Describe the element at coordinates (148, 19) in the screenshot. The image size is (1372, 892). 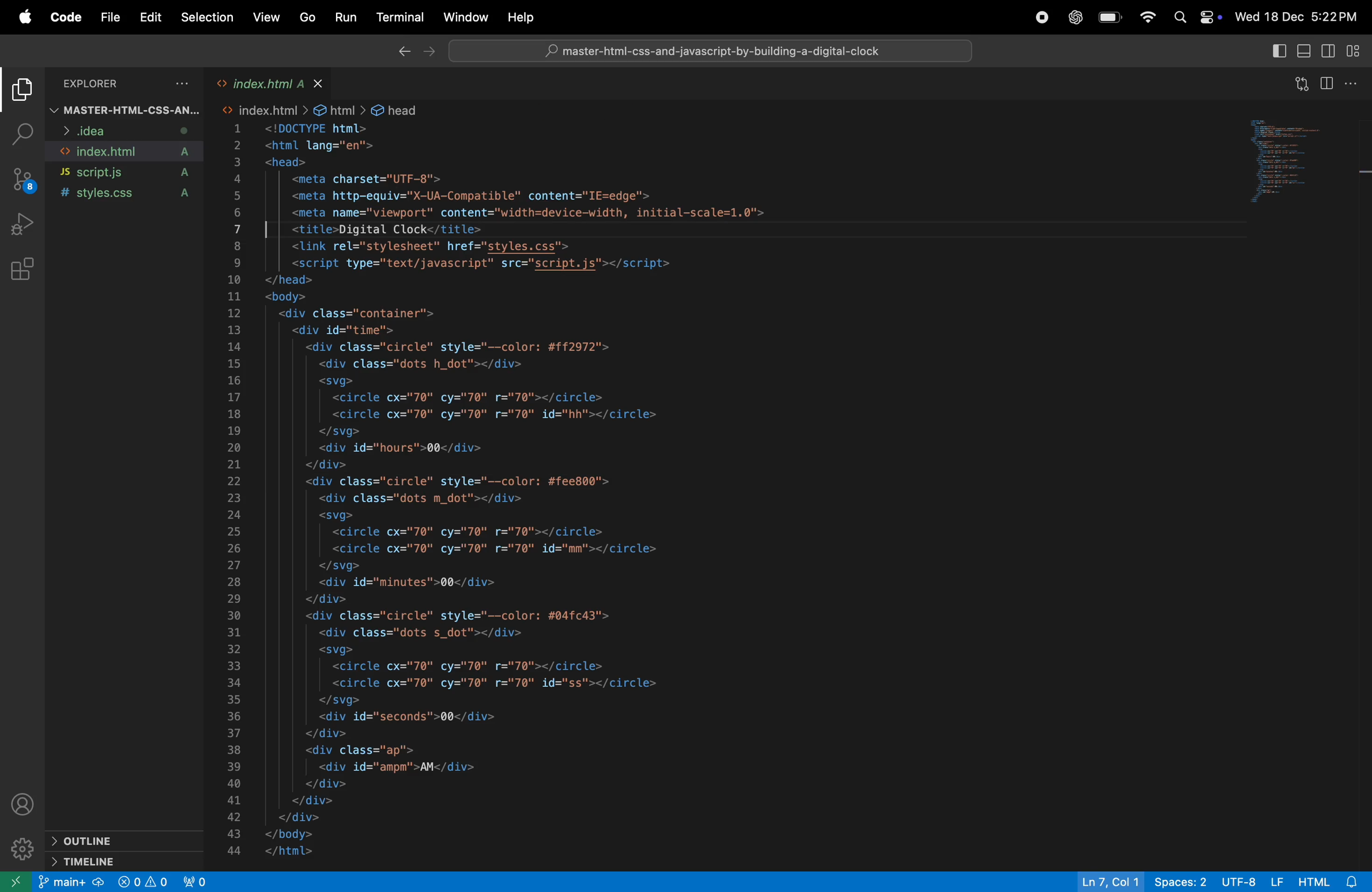
I see `edit` at that location.